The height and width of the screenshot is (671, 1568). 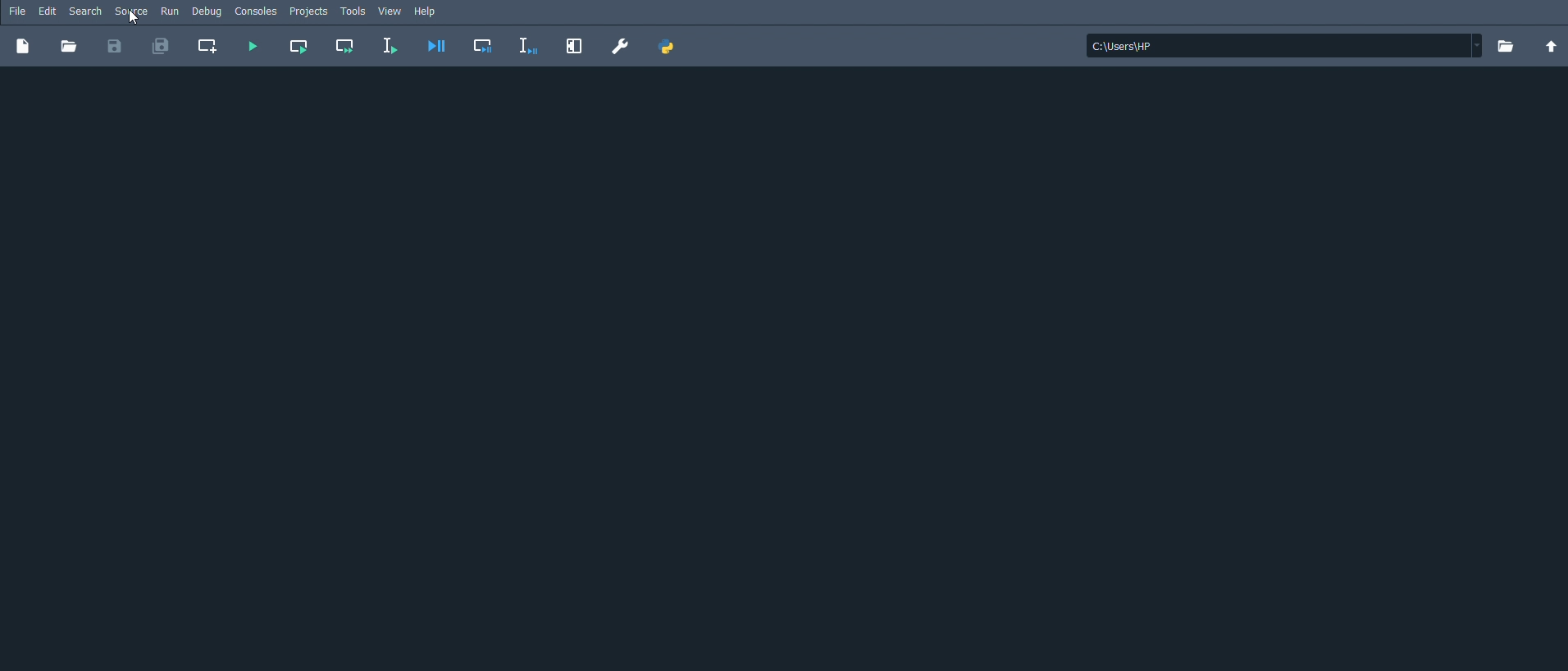 What do you see at coordinates (1550, 47) in the screenshot?
I see `Change to parent directory` at bounding box center [1550, 47].